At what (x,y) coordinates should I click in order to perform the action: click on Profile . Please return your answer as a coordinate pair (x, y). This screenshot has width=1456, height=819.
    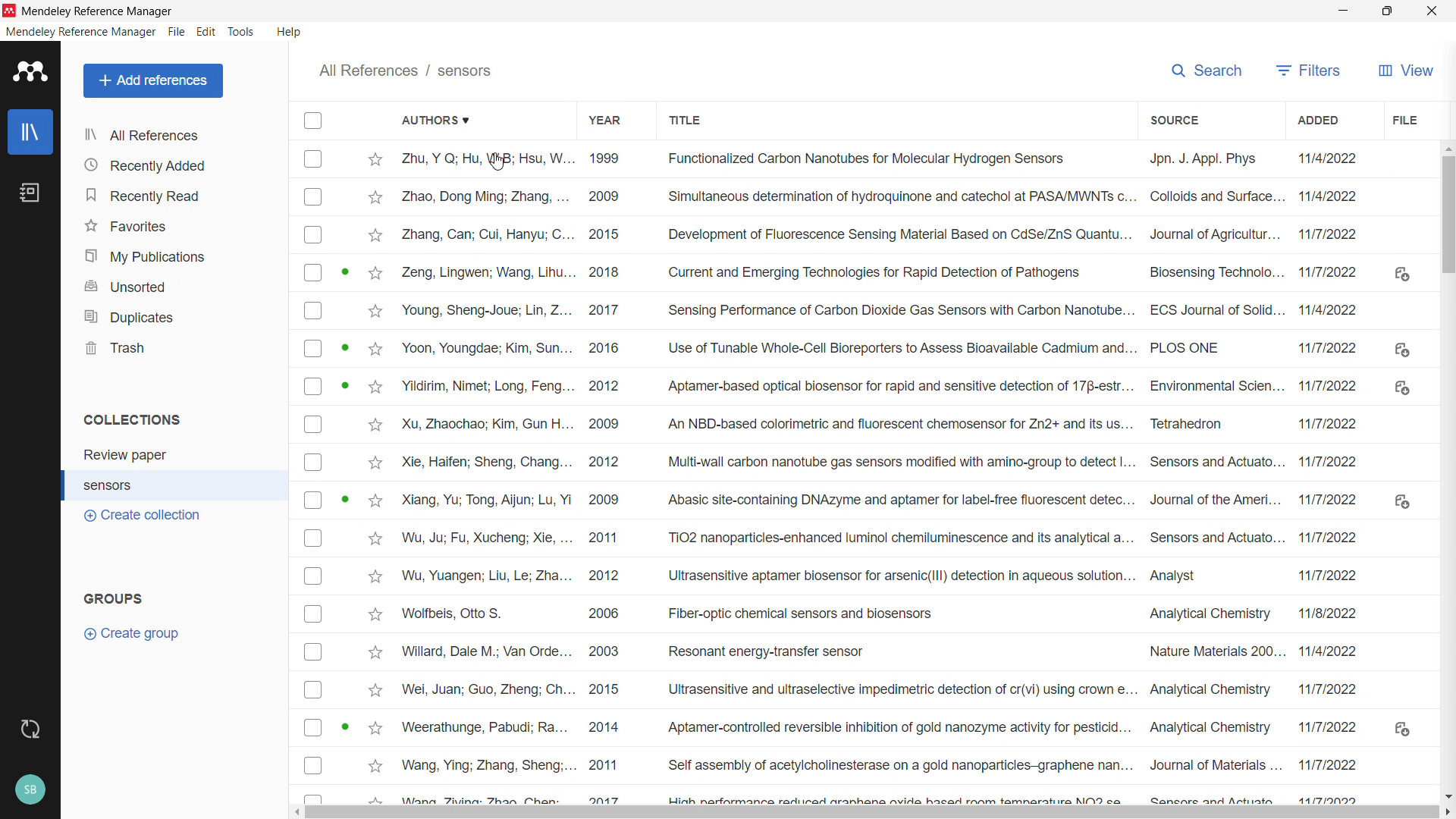
    Looking at the image, I should click on (30, 791).